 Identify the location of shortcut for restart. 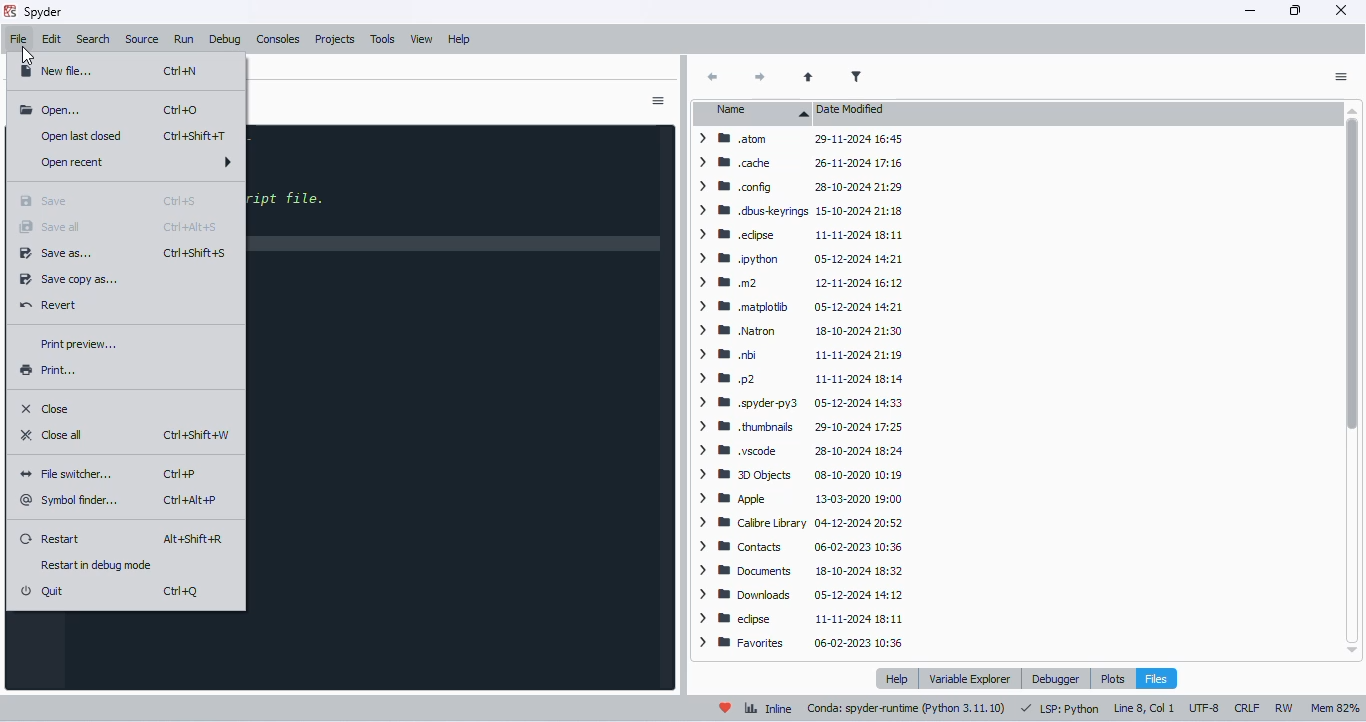
(193, 539).